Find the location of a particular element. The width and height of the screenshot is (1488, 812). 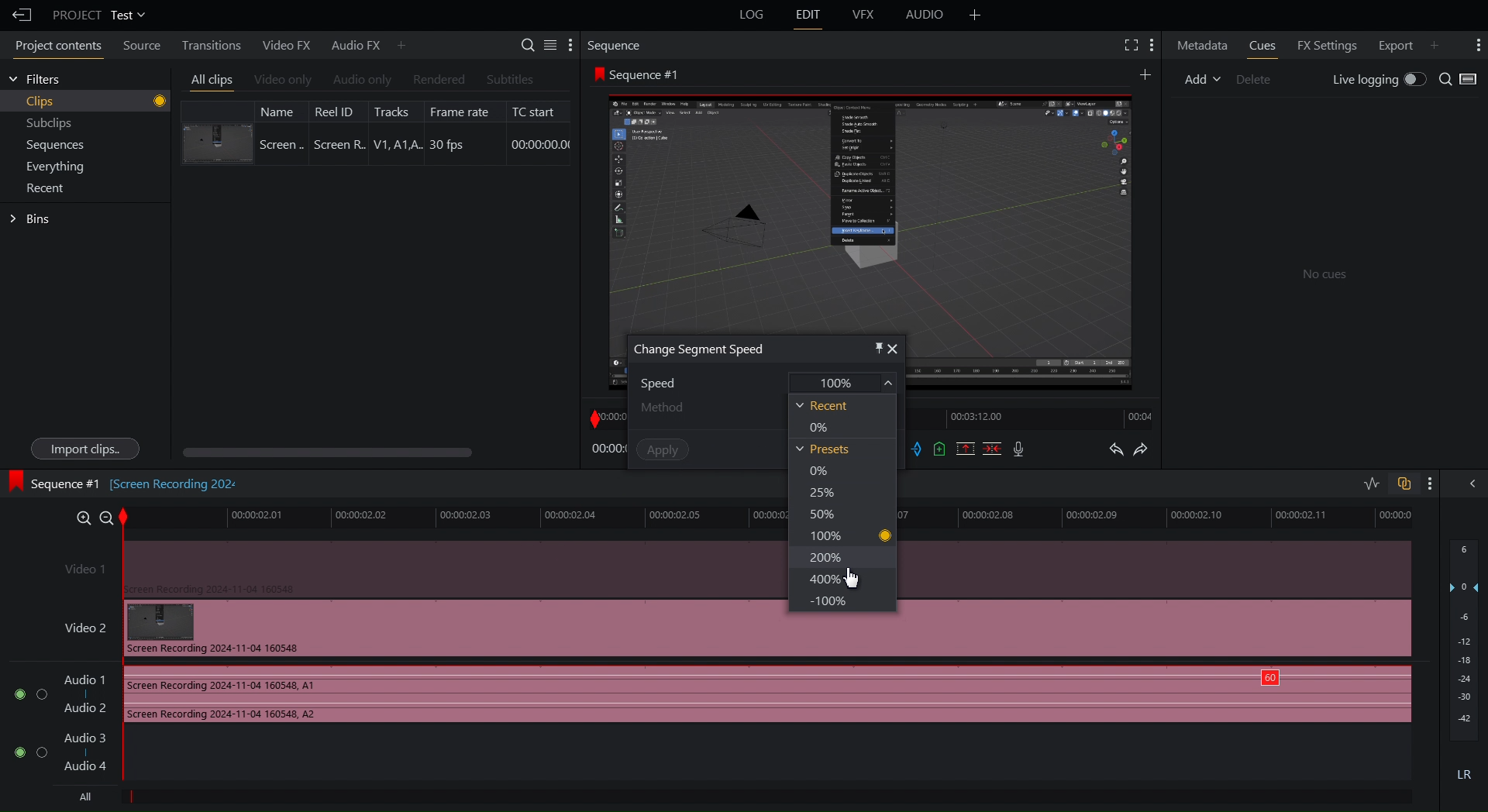

More is located at coordinates (975, 15).